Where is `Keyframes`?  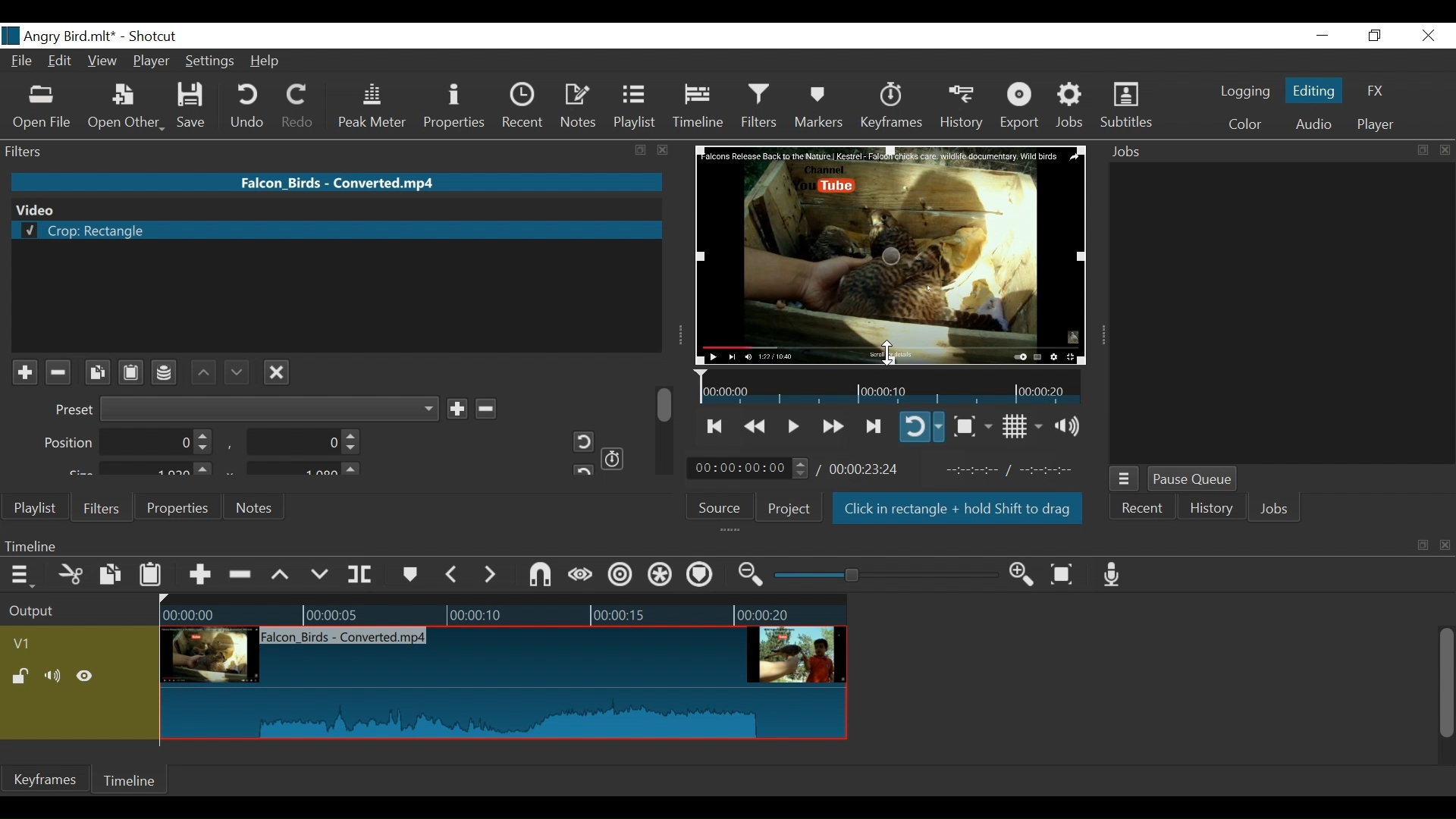
Keyframes is located at coordinates (890, 106).